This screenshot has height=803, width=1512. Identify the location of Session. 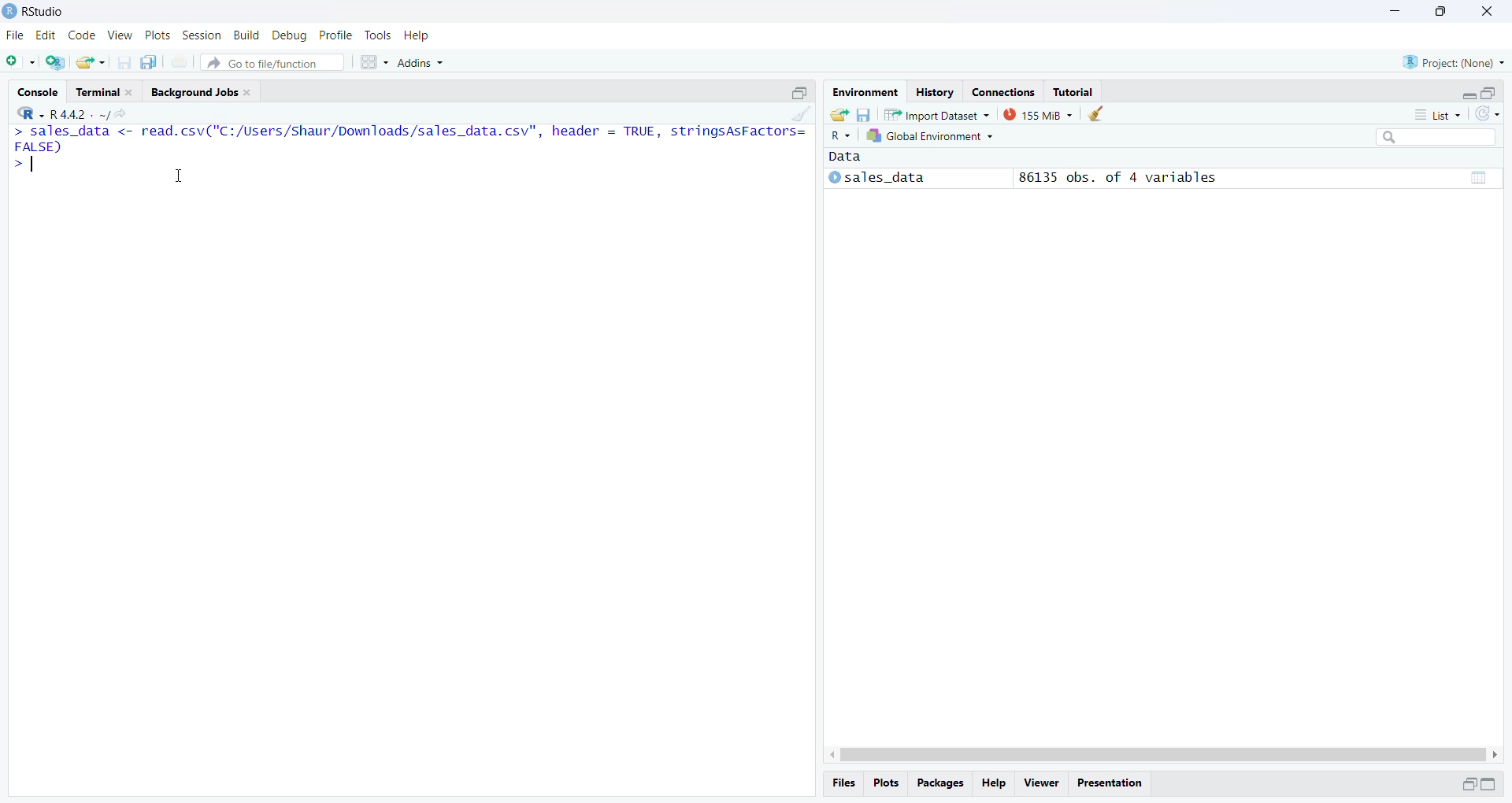
(202, 34).